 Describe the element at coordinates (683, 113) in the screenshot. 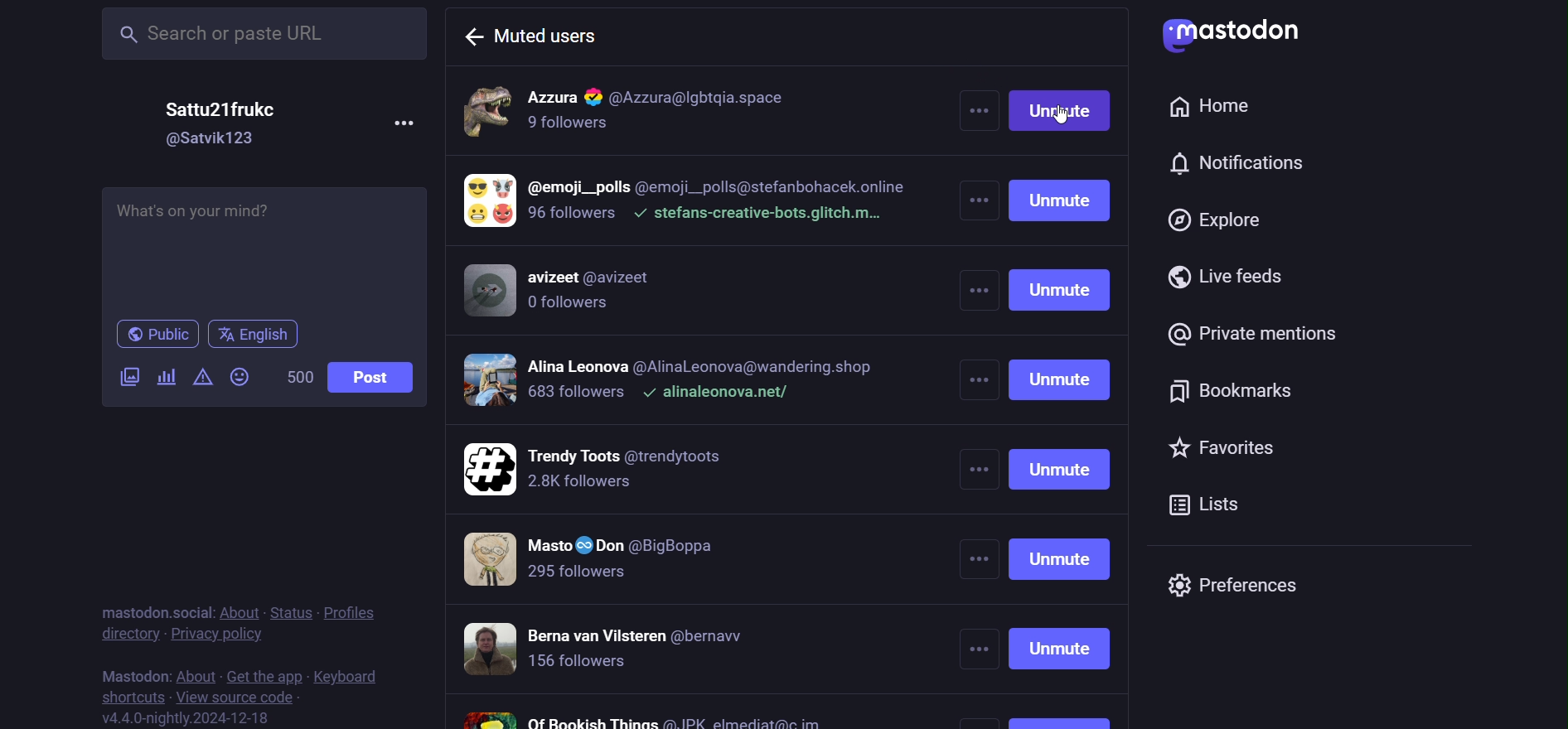

I see `muted user 1` at that location.